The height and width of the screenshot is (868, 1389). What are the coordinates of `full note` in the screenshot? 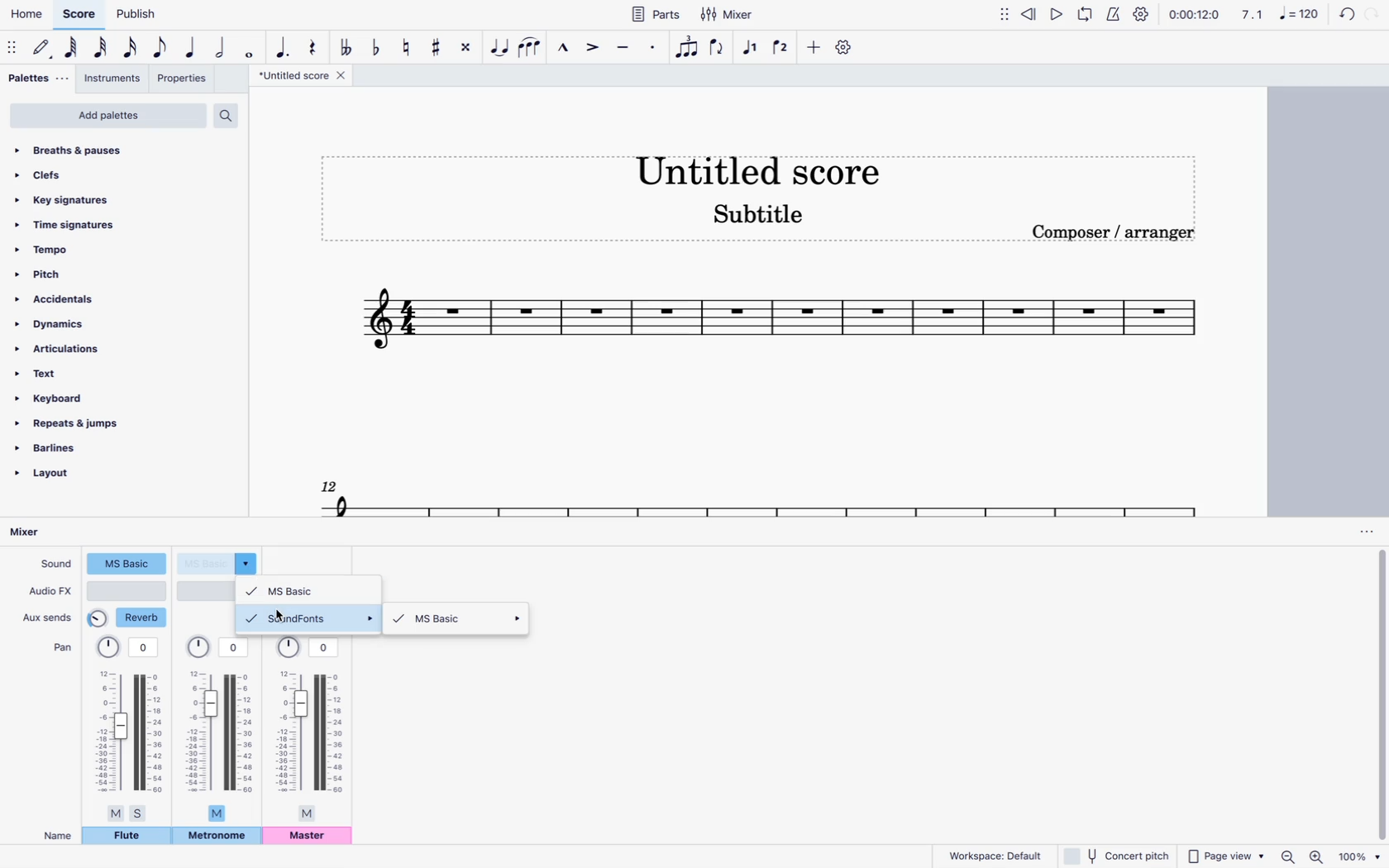 It's located at (252, 50).